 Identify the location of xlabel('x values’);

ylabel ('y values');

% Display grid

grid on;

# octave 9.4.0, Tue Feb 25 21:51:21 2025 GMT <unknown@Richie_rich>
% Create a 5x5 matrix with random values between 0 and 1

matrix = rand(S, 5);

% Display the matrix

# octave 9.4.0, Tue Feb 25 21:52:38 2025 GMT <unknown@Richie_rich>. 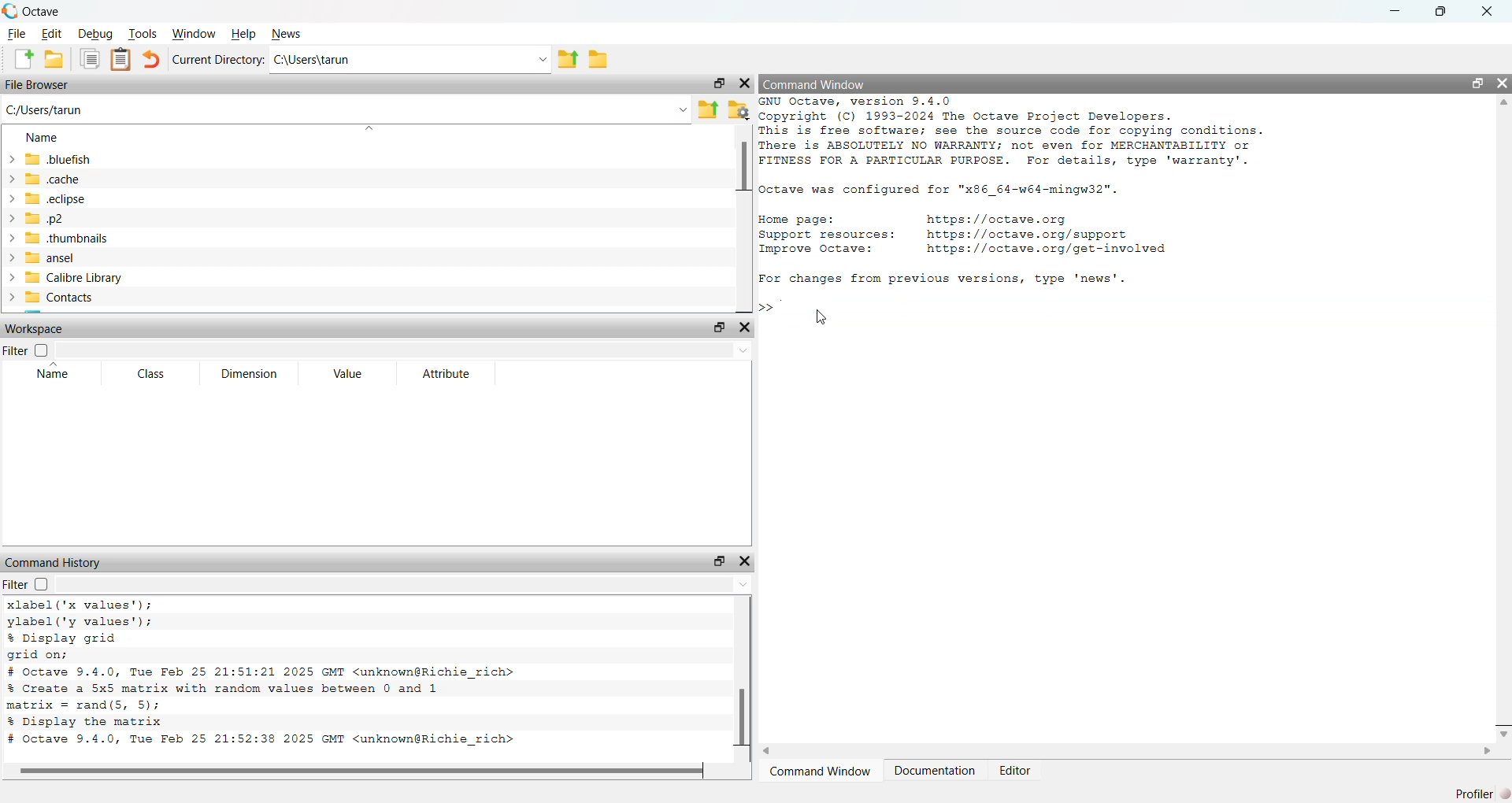
(332, 676).